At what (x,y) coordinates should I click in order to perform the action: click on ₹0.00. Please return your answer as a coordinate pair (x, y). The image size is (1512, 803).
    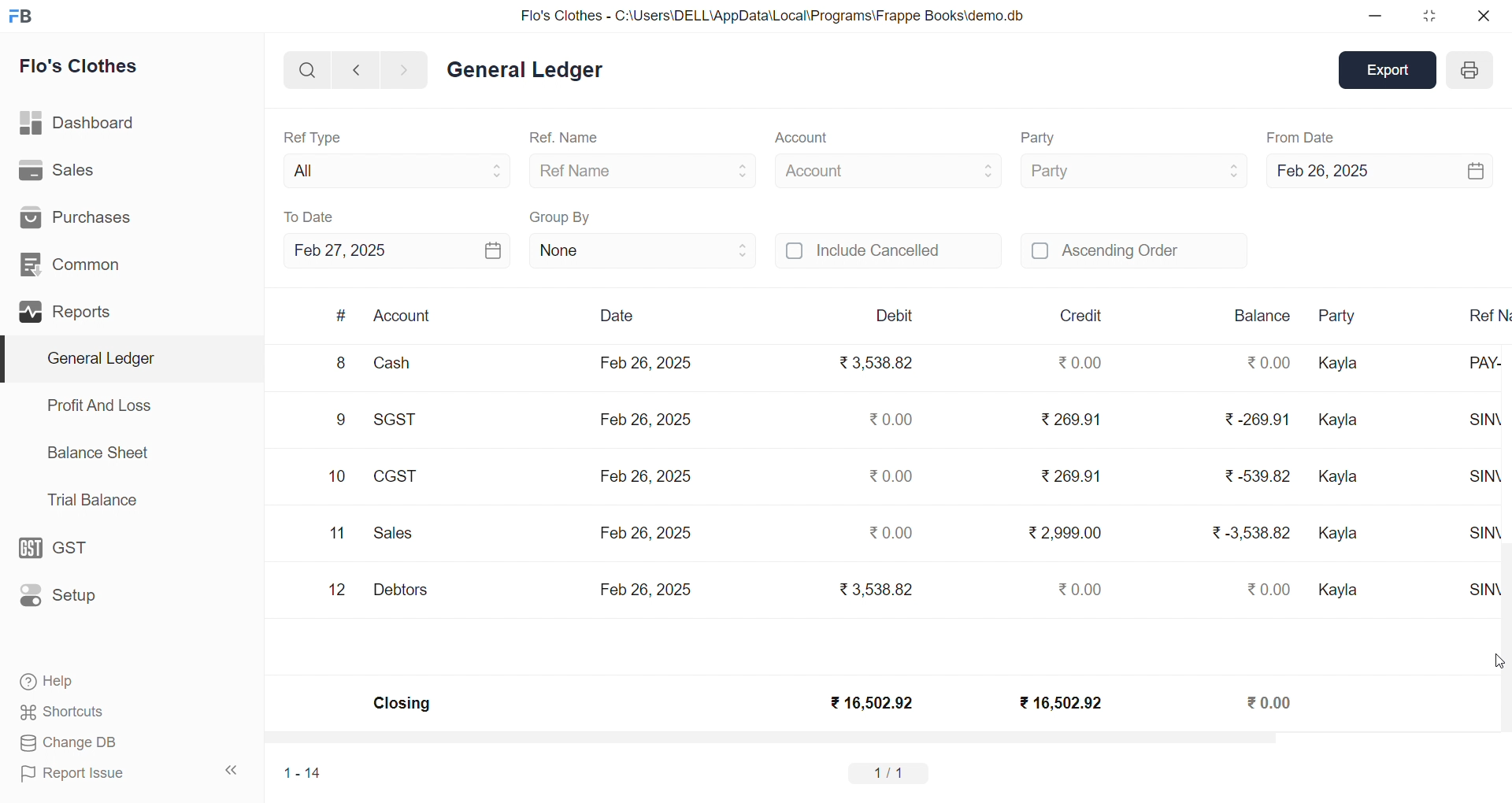
    Looking at the image, I should click on (891, 476).